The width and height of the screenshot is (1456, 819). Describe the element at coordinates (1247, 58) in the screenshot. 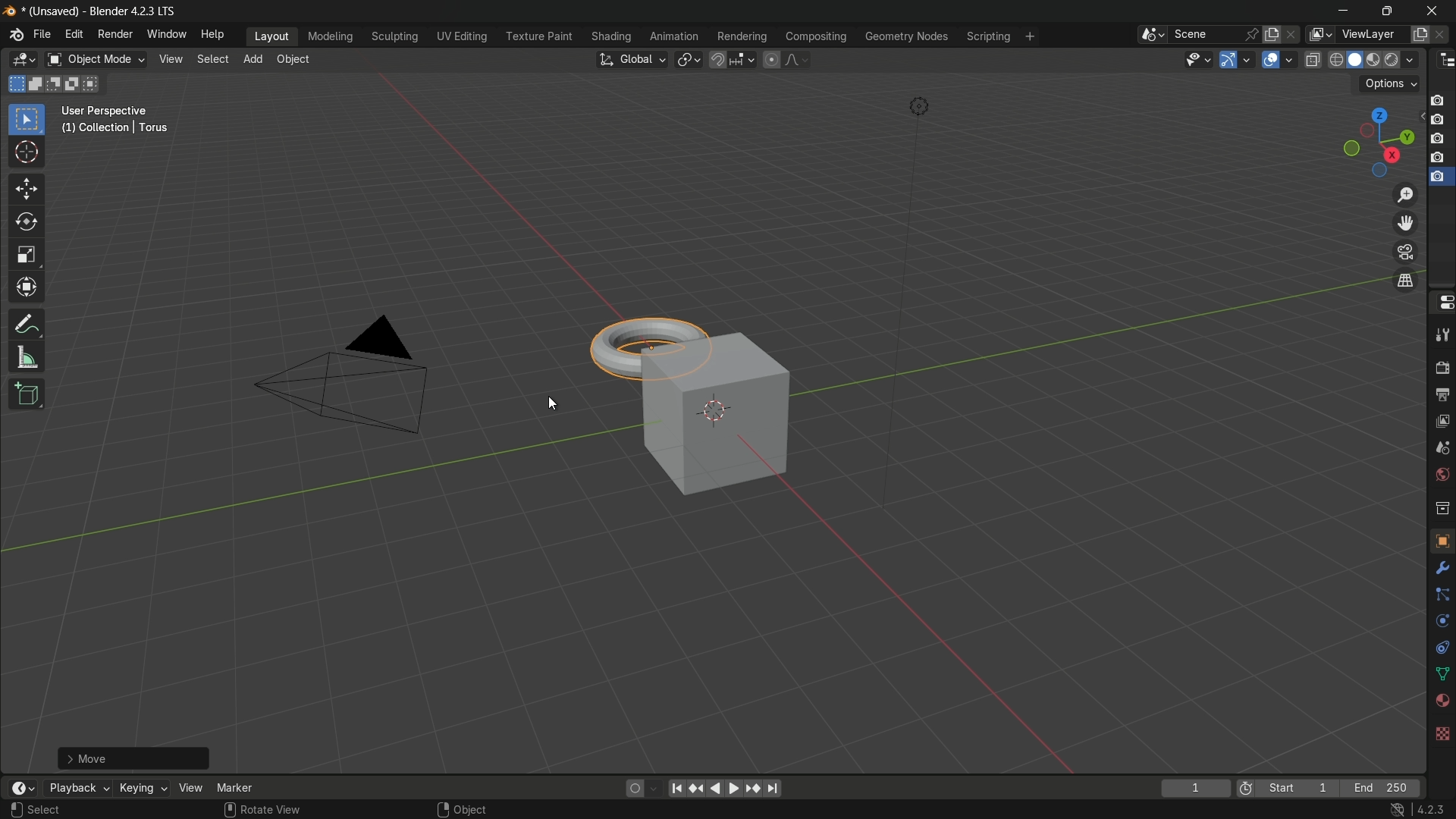

I see `gizmos` at that location.